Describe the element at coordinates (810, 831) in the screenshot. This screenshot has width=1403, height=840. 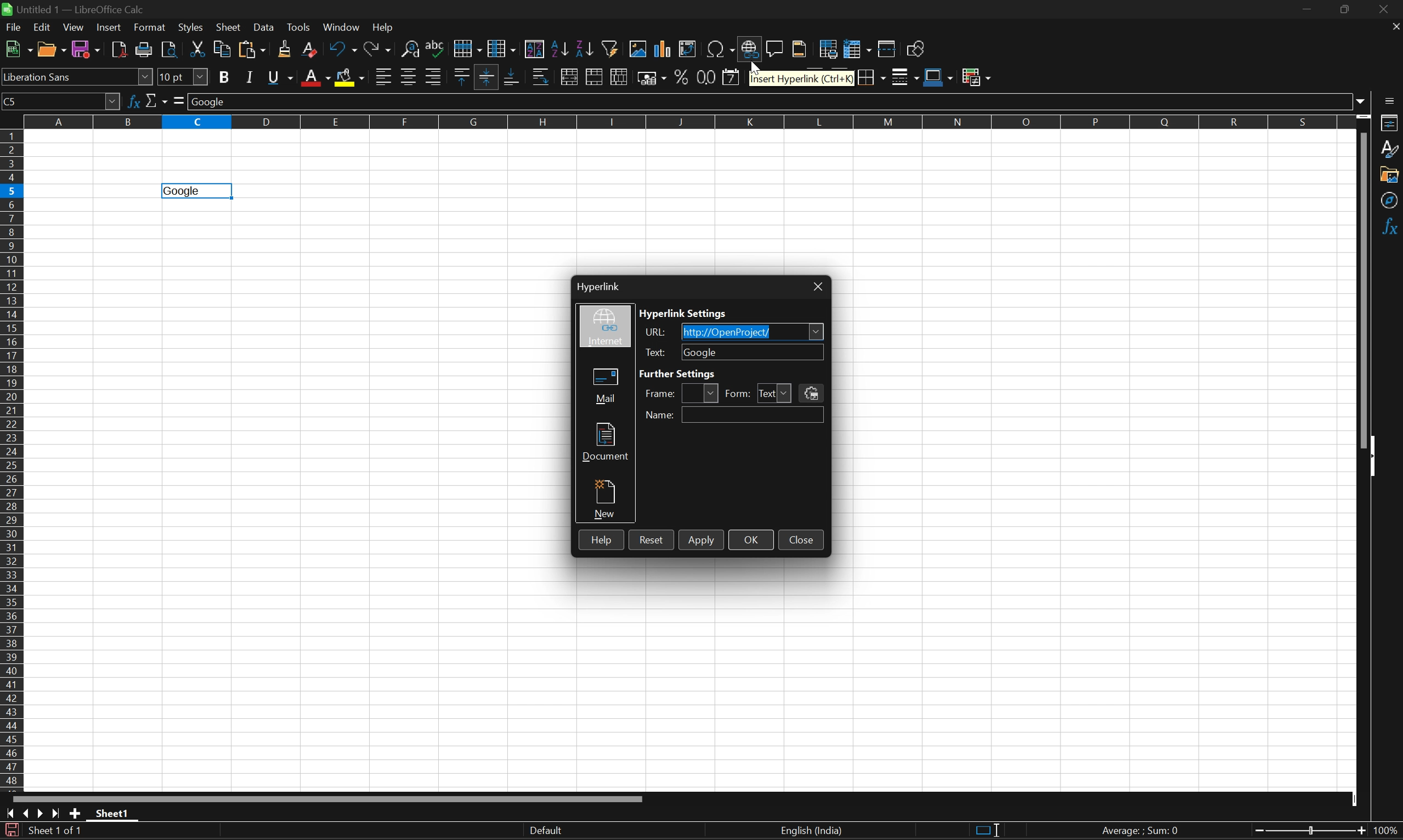
I see `English (India)` at that location.